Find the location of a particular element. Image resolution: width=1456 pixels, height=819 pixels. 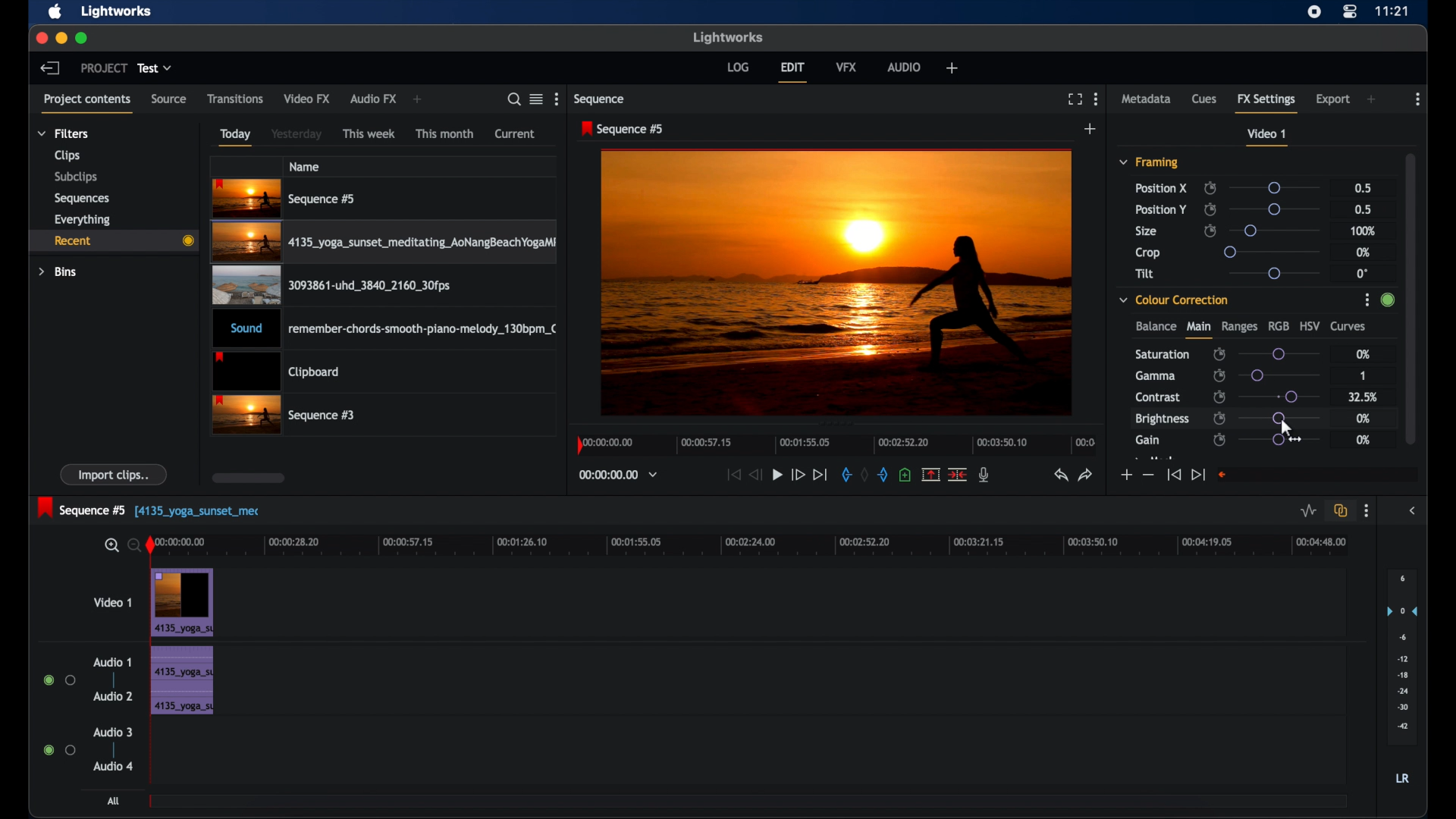

balance is located at coordinates (1155, 326).